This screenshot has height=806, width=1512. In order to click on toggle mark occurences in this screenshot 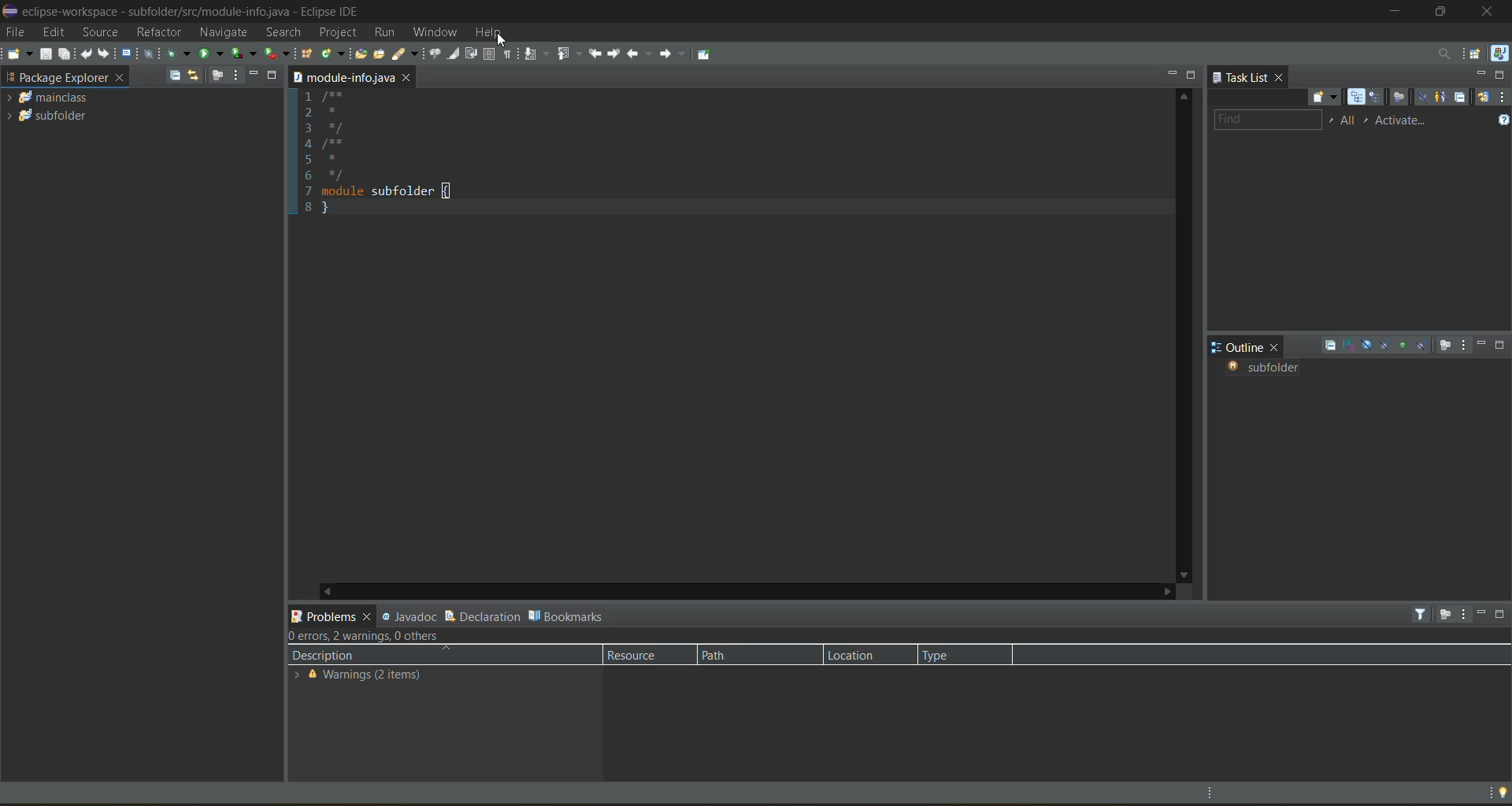, I will do `click(456, 54)`.